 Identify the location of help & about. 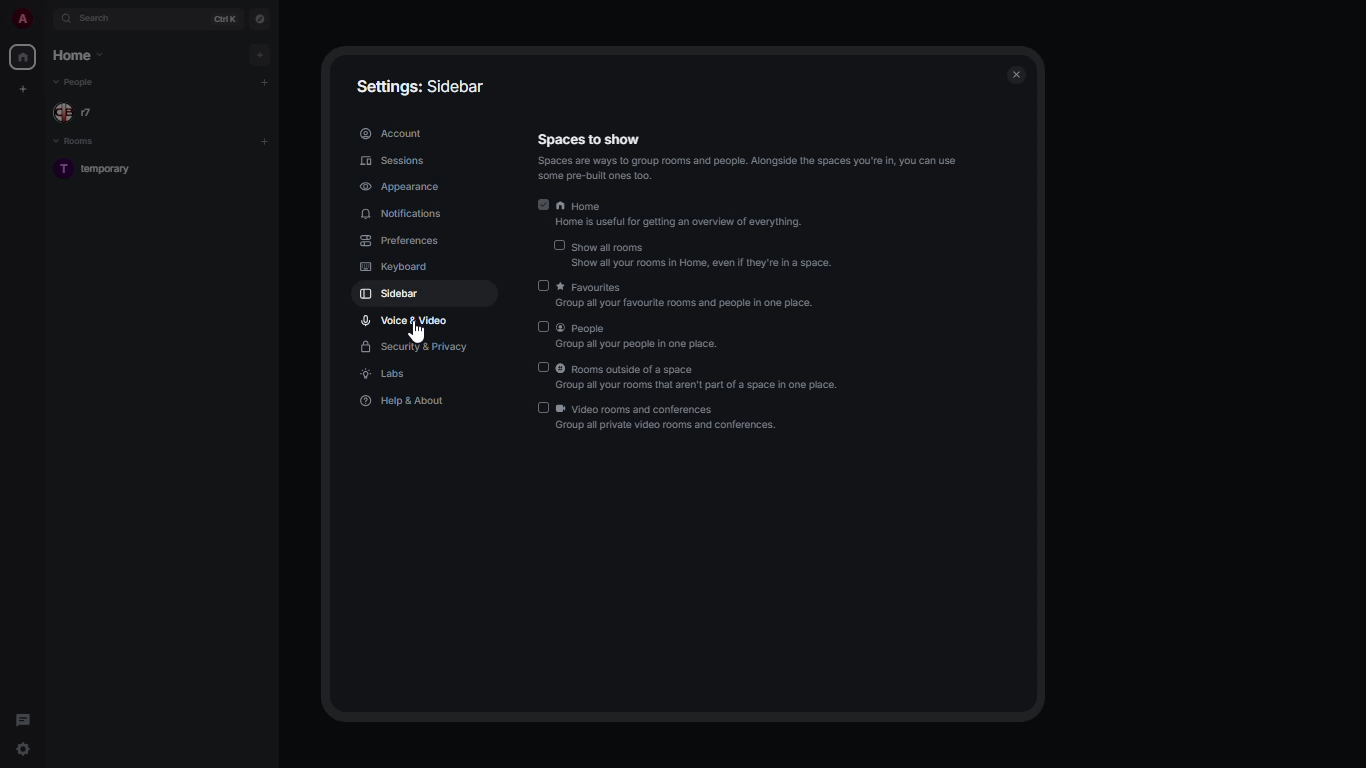
(402, 400).